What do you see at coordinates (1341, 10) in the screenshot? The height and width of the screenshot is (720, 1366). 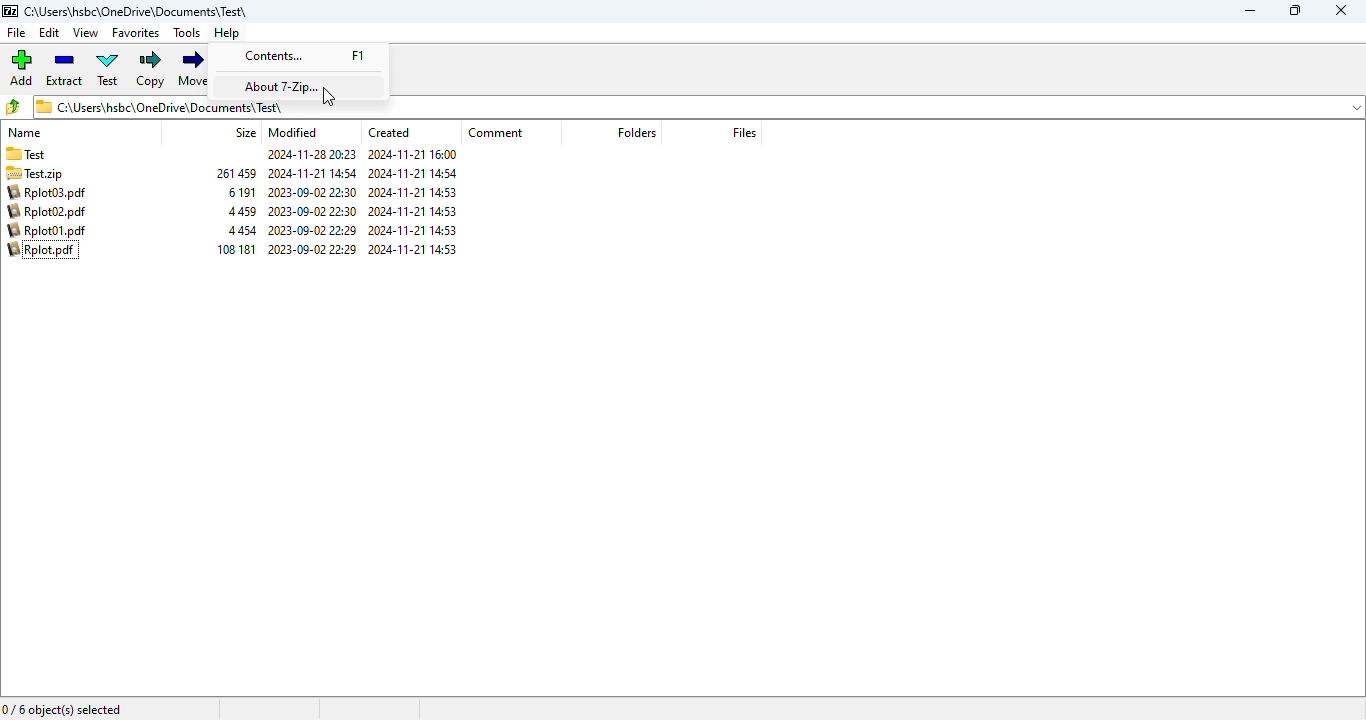 I see `close` at bounding box center [1341, 10].